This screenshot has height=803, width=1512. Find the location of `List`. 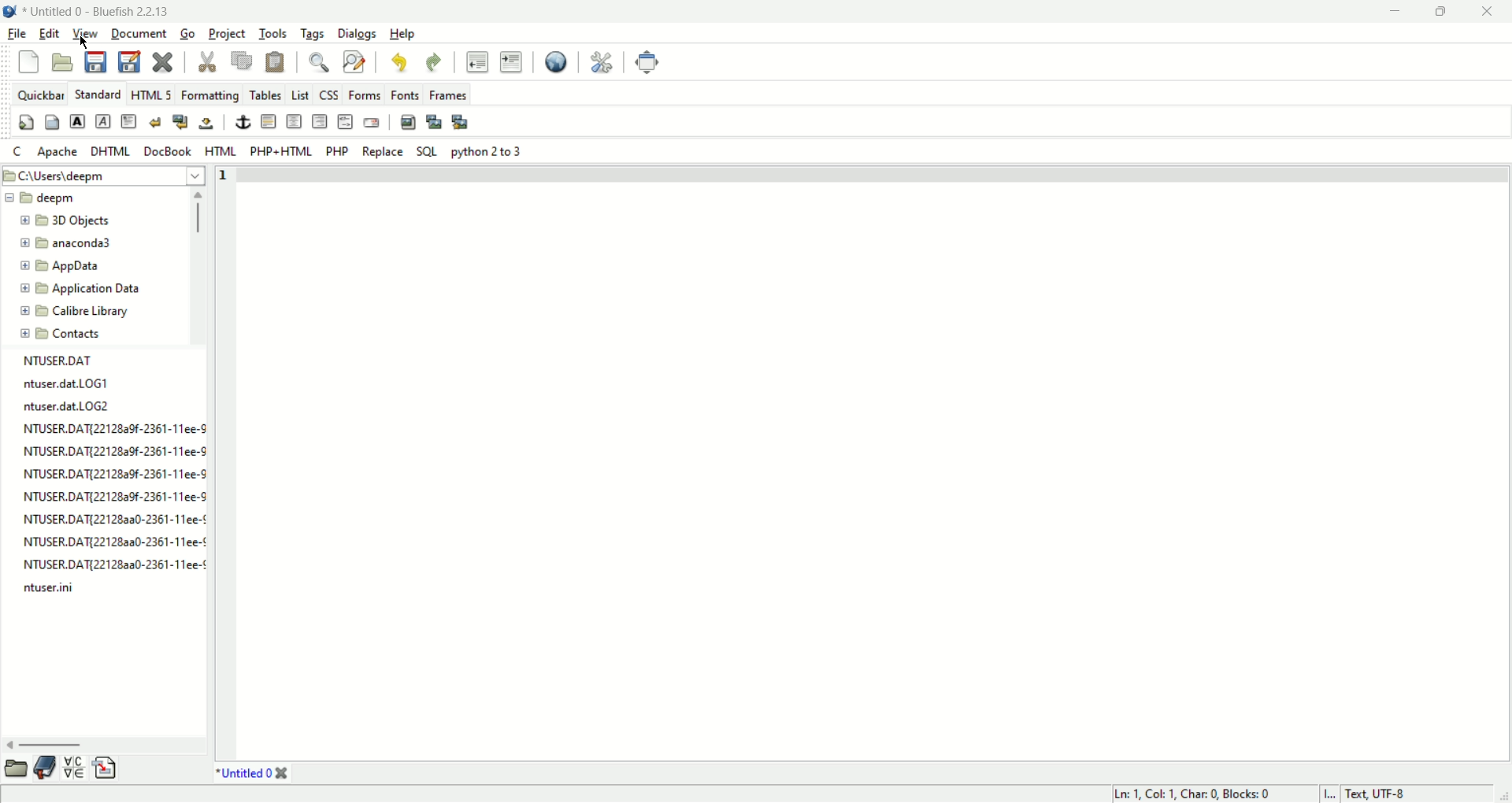

List is located at coordinates (299, 96).